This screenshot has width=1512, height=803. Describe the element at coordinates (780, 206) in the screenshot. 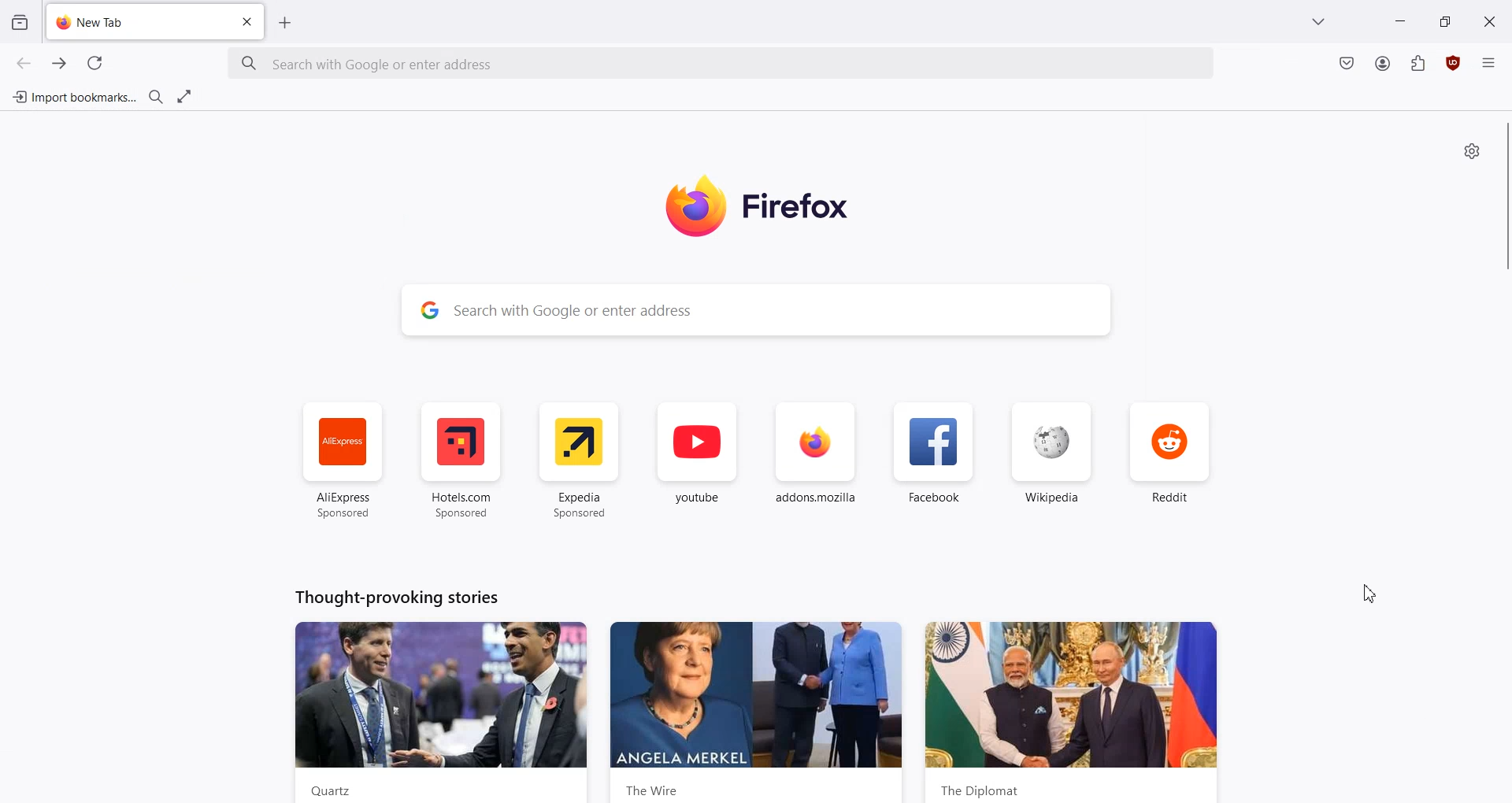

I see `Logo` at that location.